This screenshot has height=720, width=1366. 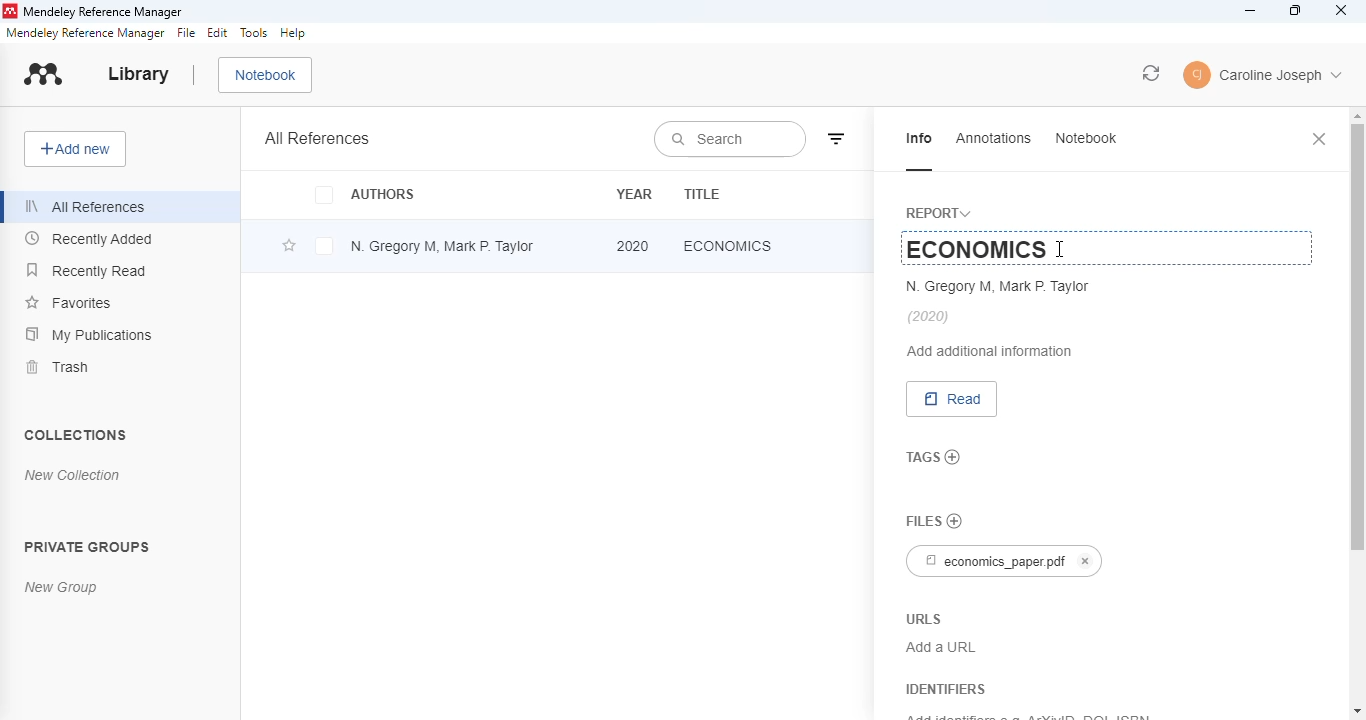 What do you see at coordinates (995, 138) in the screenshot?
I see `annotations` at bounding box center [995, 138].